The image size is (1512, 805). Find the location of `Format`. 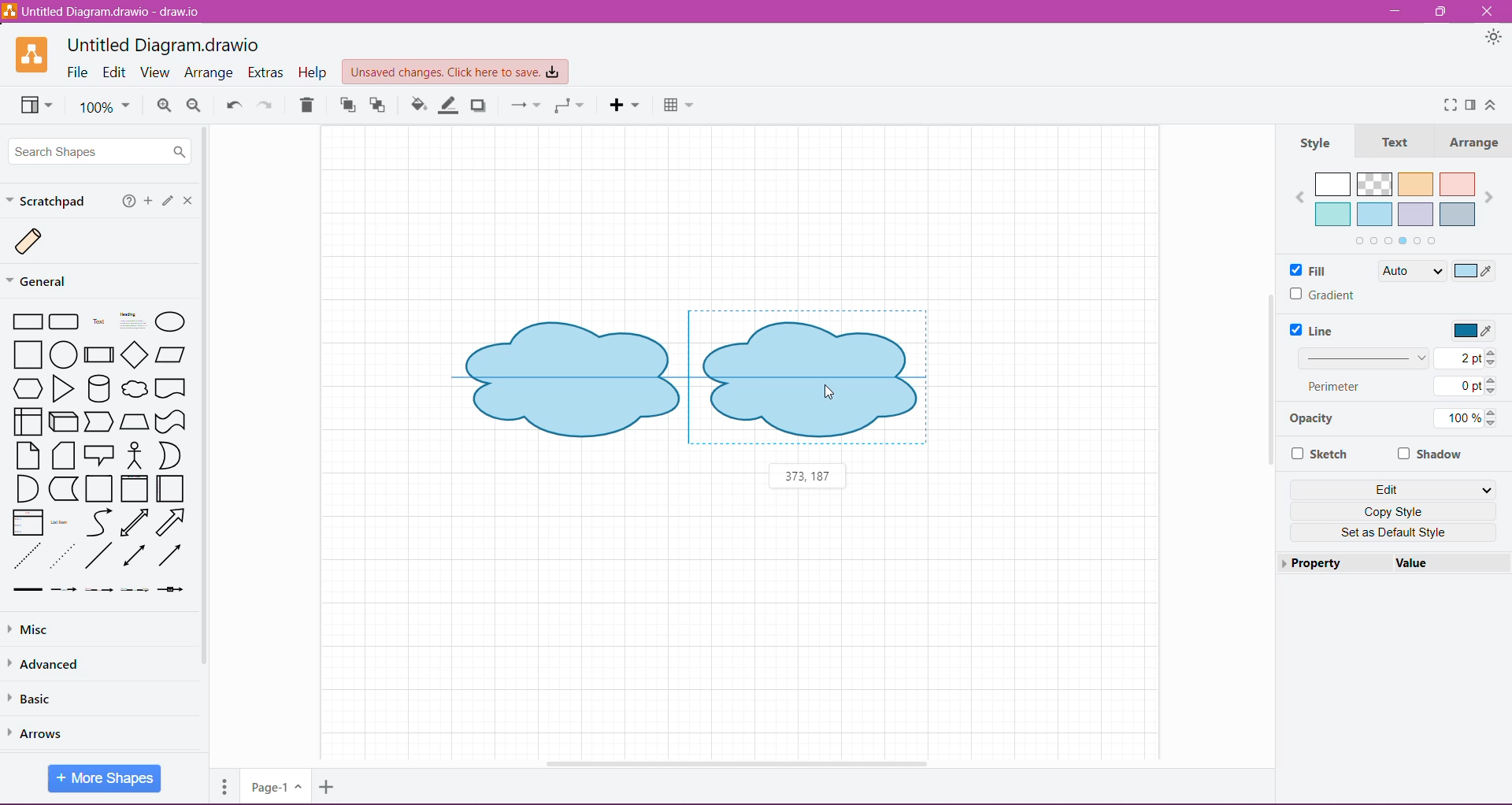

Format is located at coordinates (1471, 104).